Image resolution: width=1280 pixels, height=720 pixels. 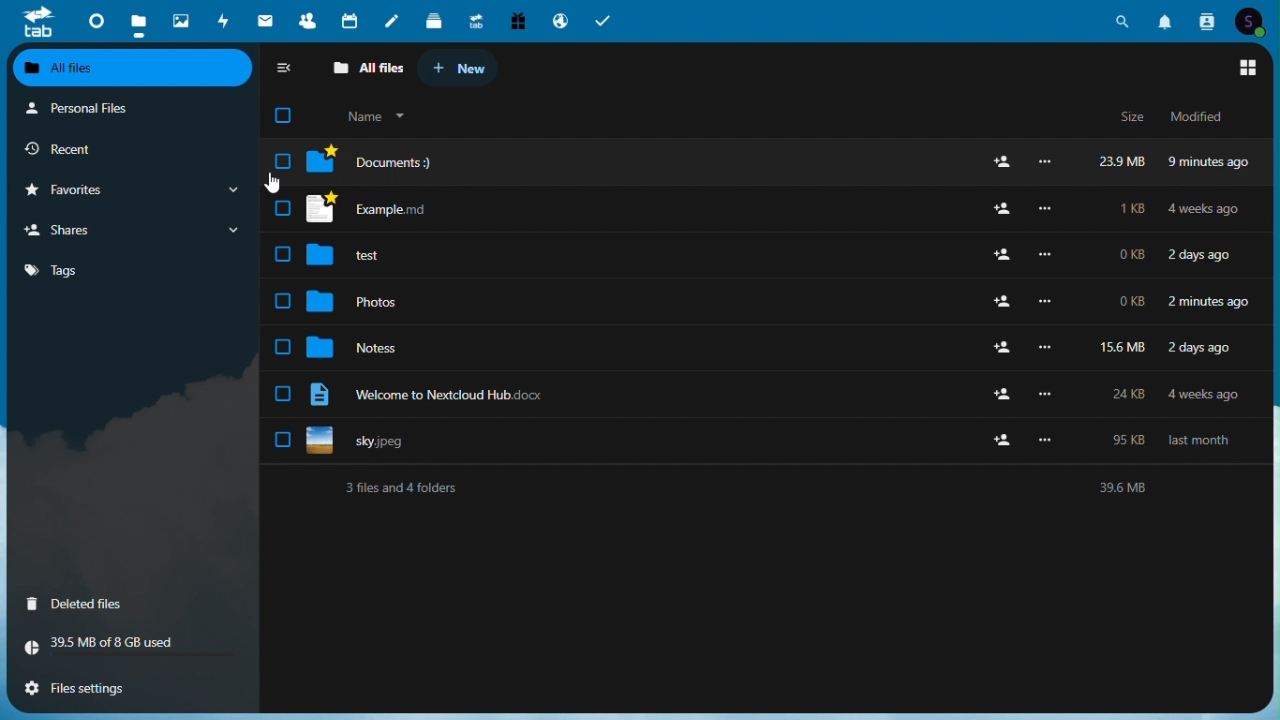 I want to click on contacts, so click(x=1210, y=19).